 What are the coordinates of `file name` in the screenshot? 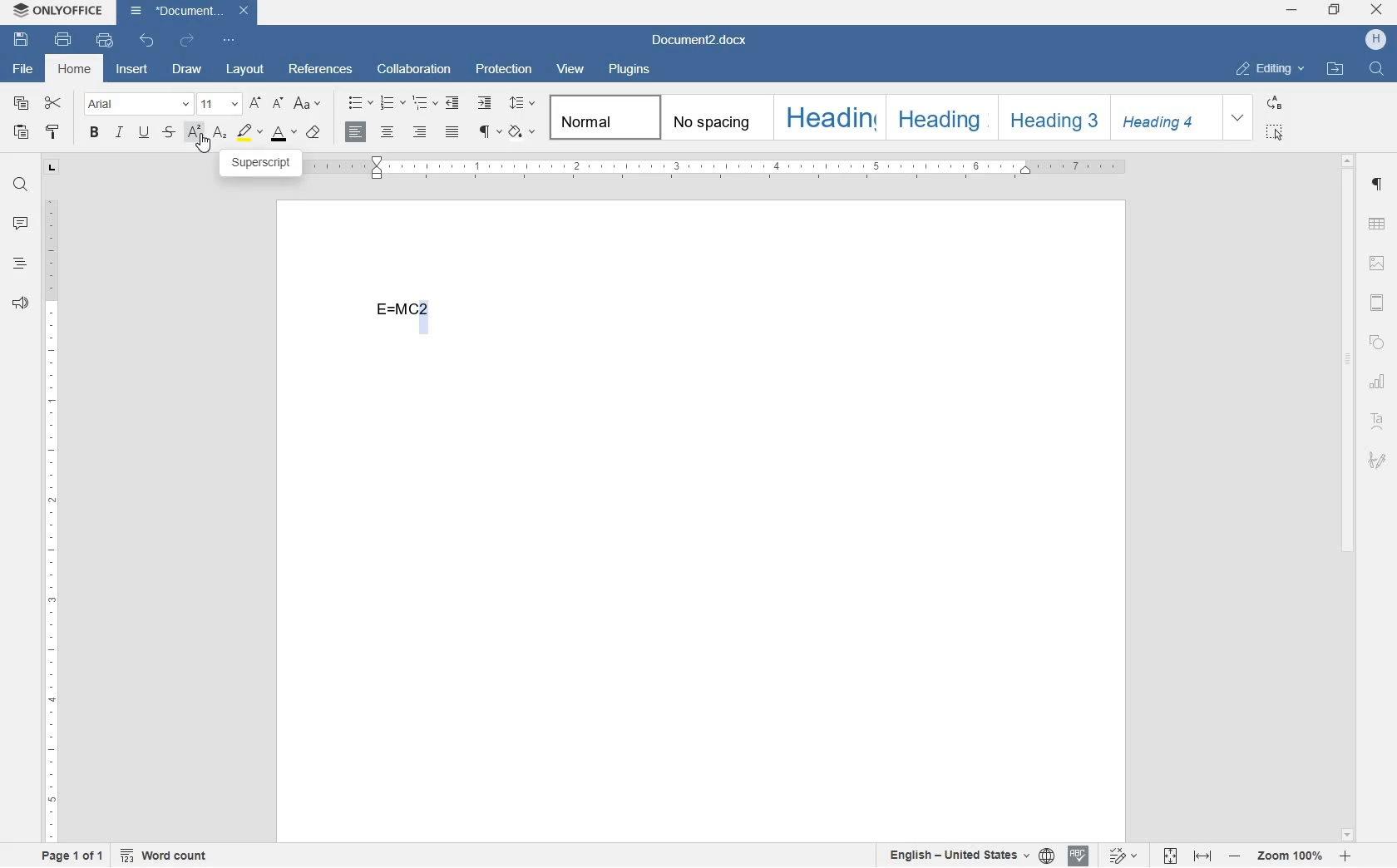 It's located at (190, 14).